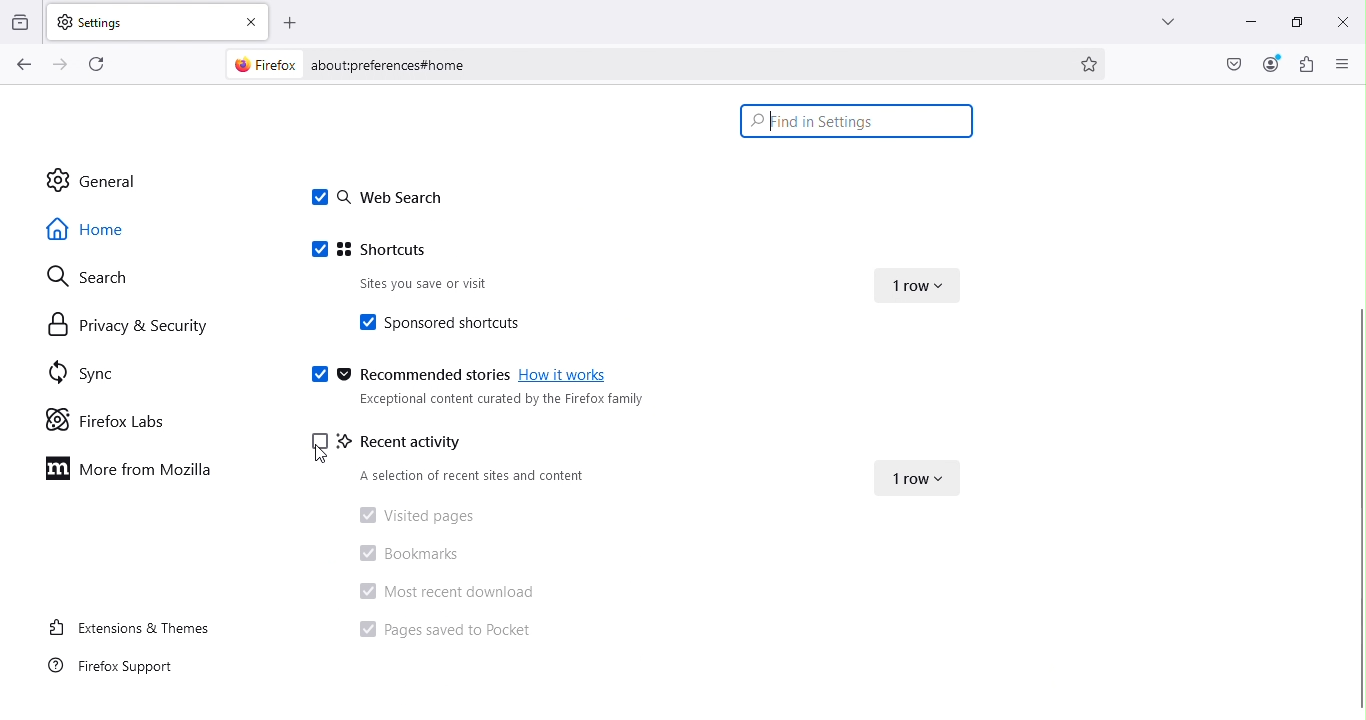 The width and height of the screenshot is (1366, 720). I want to click on Privacy and security, so click(127, 329).